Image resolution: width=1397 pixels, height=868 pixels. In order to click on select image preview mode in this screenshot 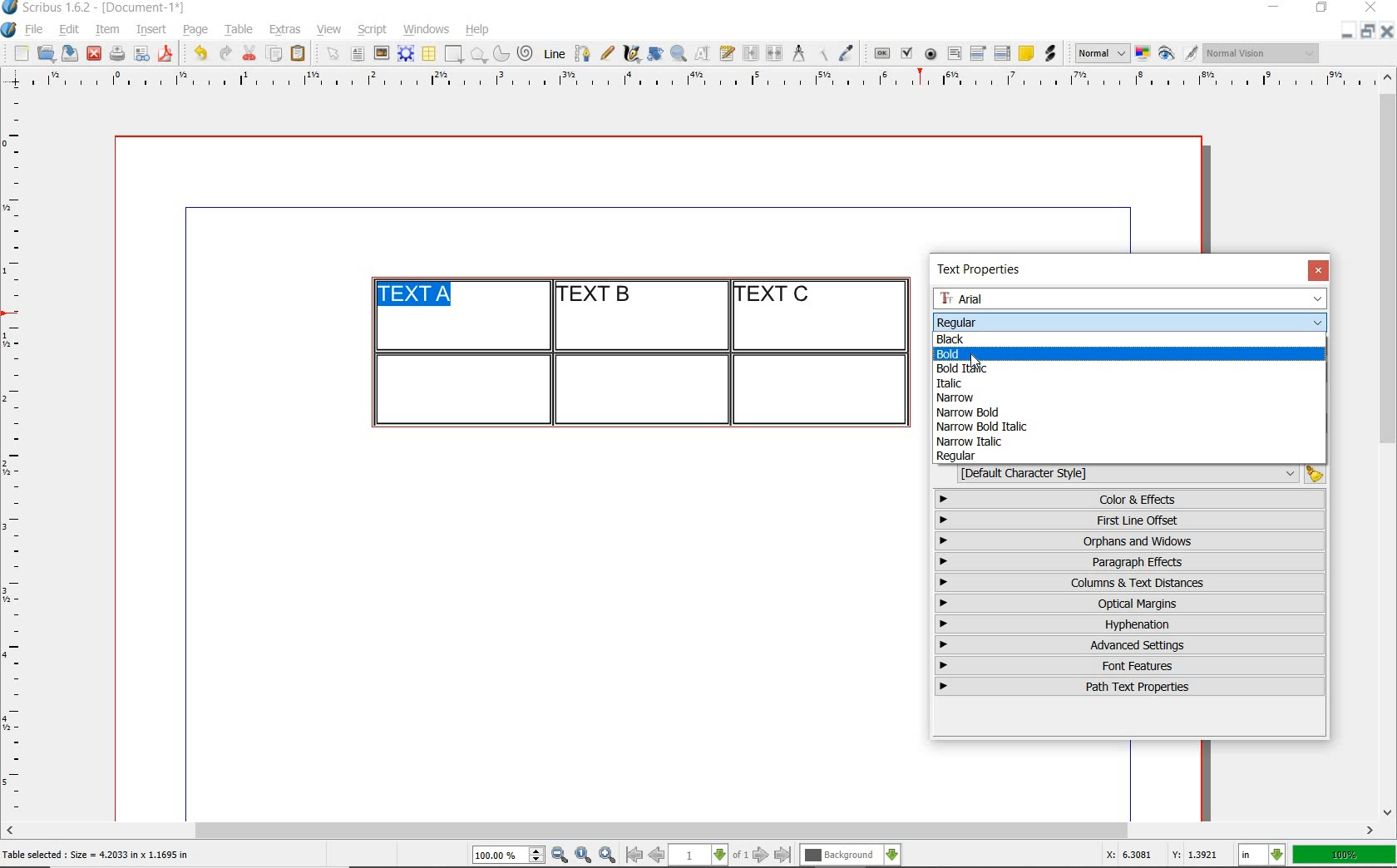, I will do `click(1101, 54)`.